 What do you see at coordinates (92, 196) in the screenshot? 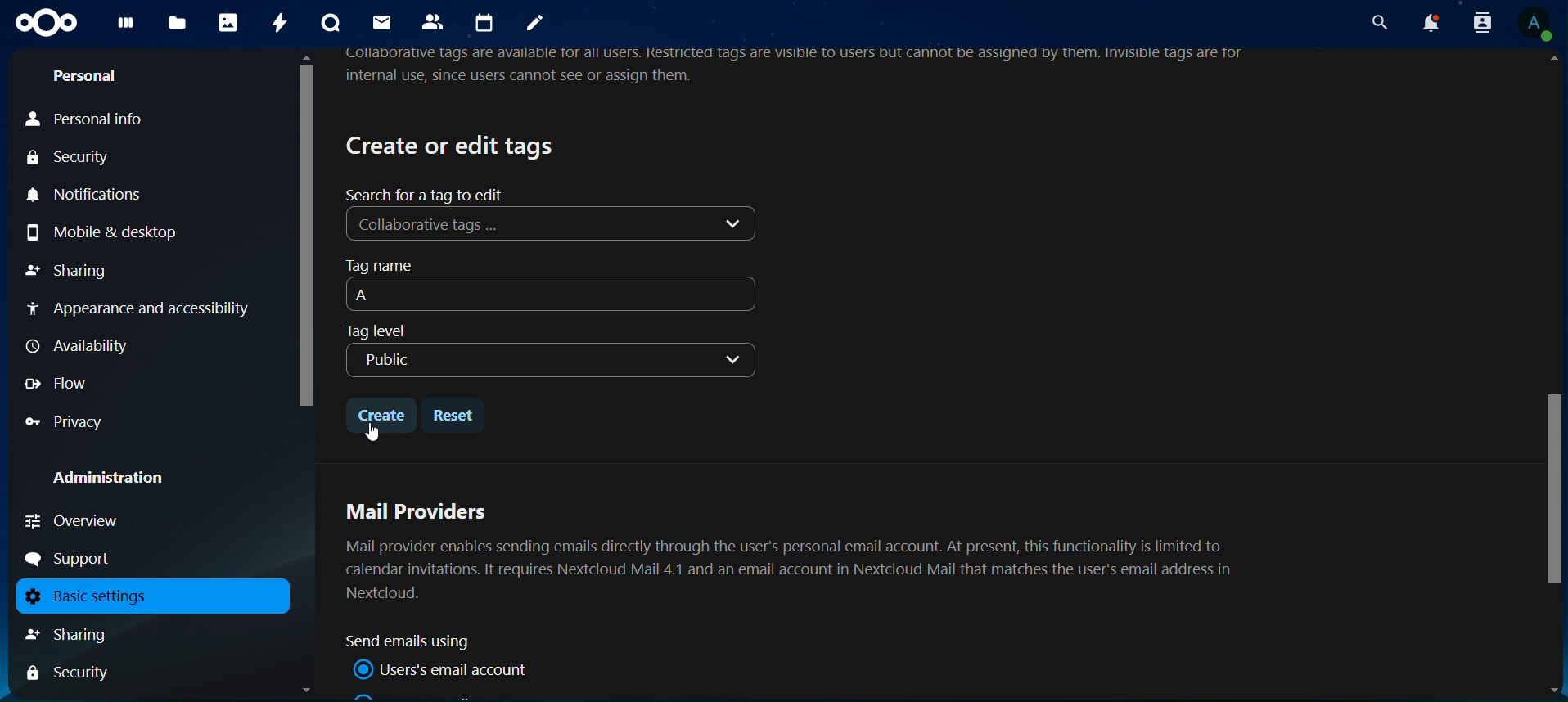
I see `notifications` at bounding box center [92, 196].